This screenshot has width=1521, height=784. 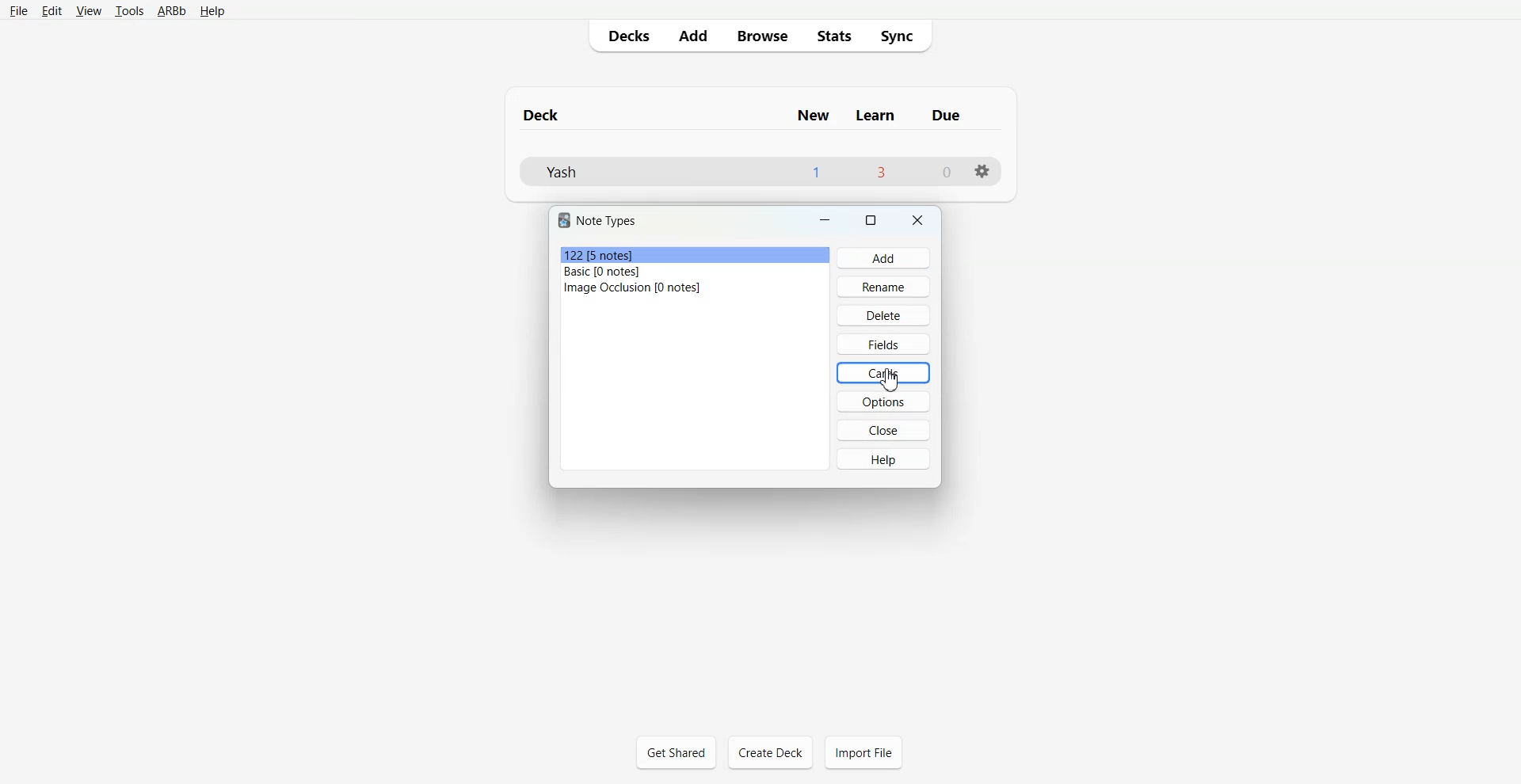 I want to click on cursor, so click(x=902, y=383).